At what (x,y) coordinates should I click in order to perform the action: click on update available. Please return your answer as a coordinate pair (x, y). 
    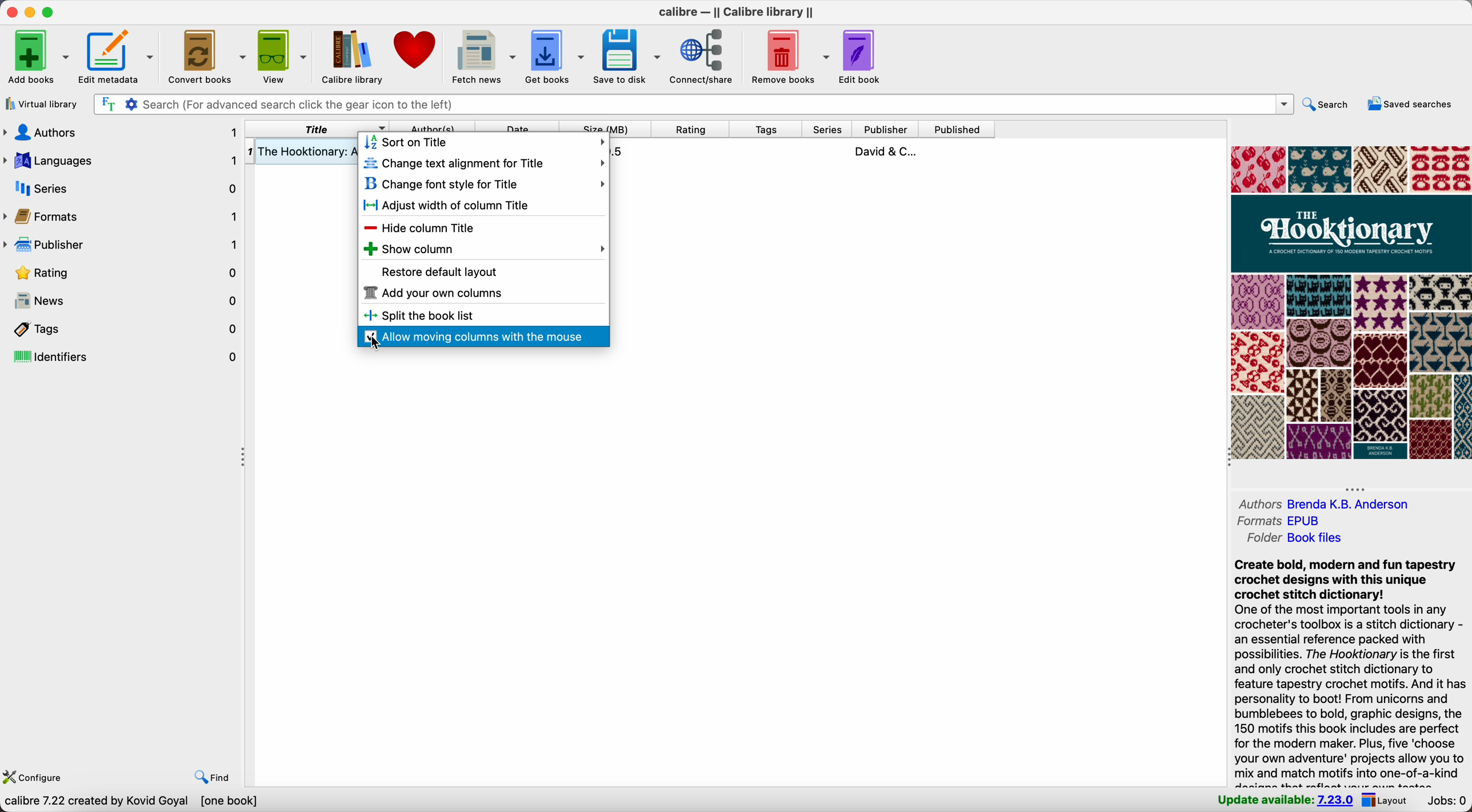
    Looking at the image, I should click on (1286, 801).